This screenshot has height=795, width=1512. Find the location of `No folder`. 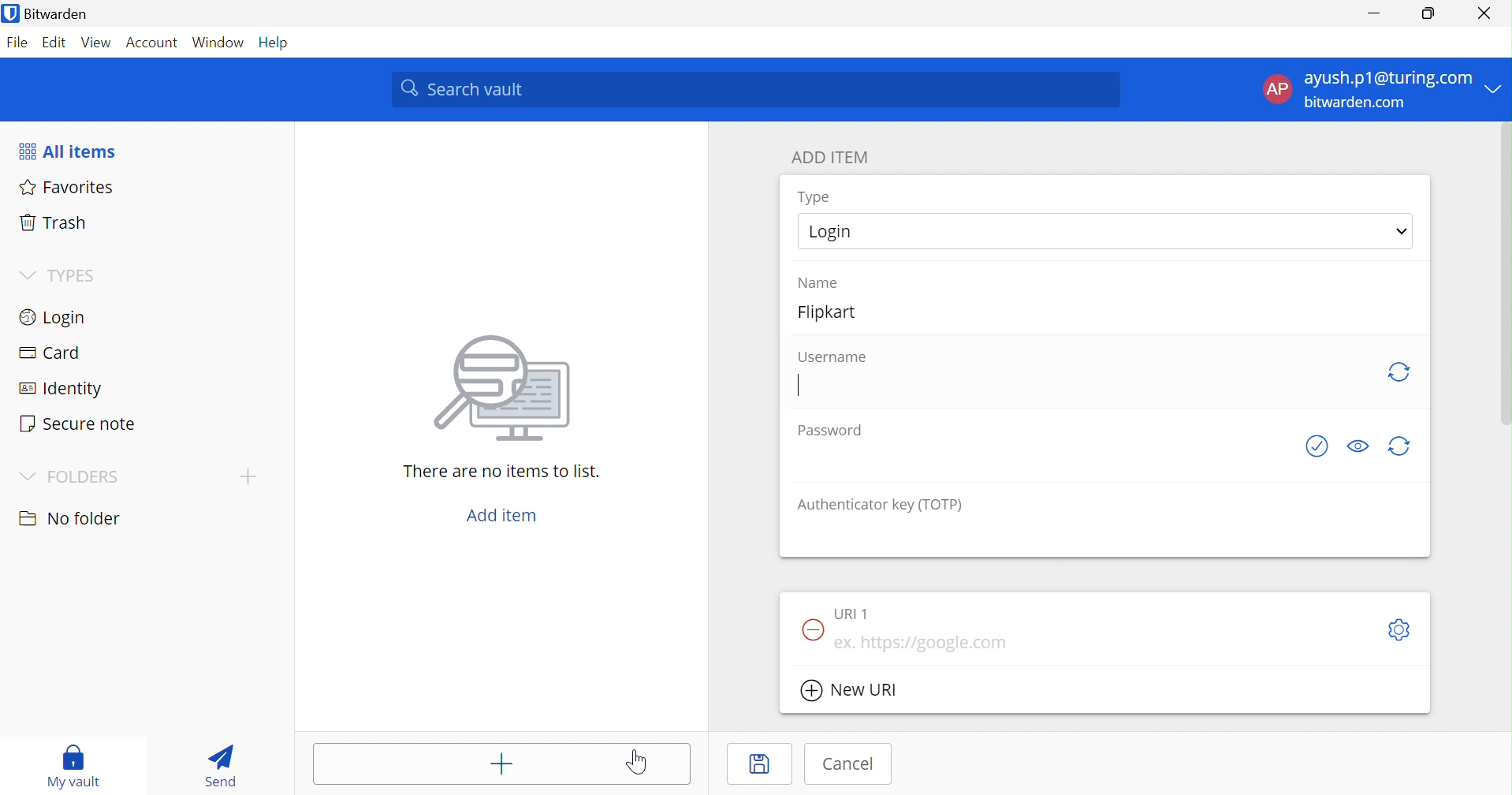

No folder is located at coordinates (73, 519).